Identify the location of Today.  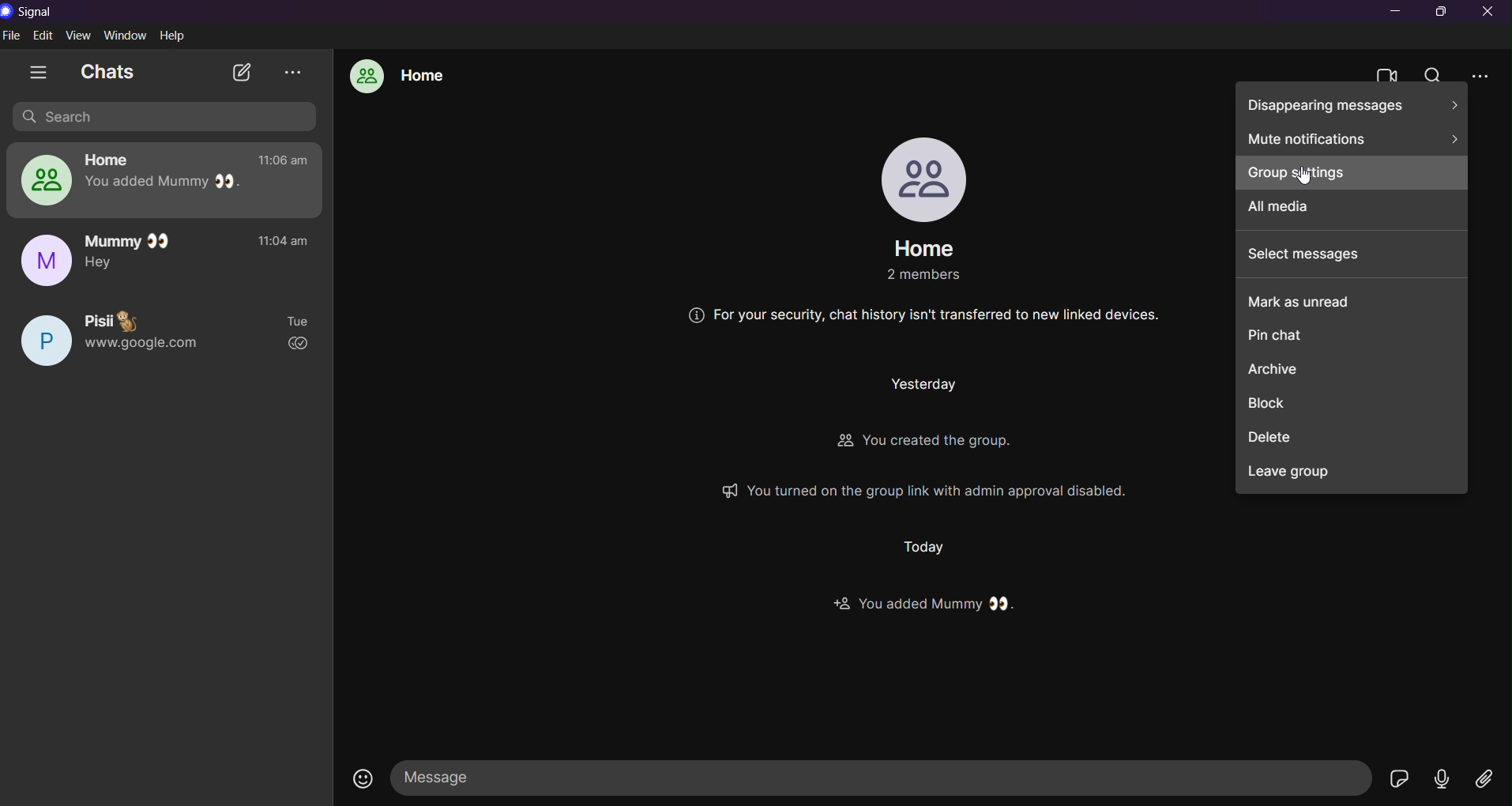
(931, 546).